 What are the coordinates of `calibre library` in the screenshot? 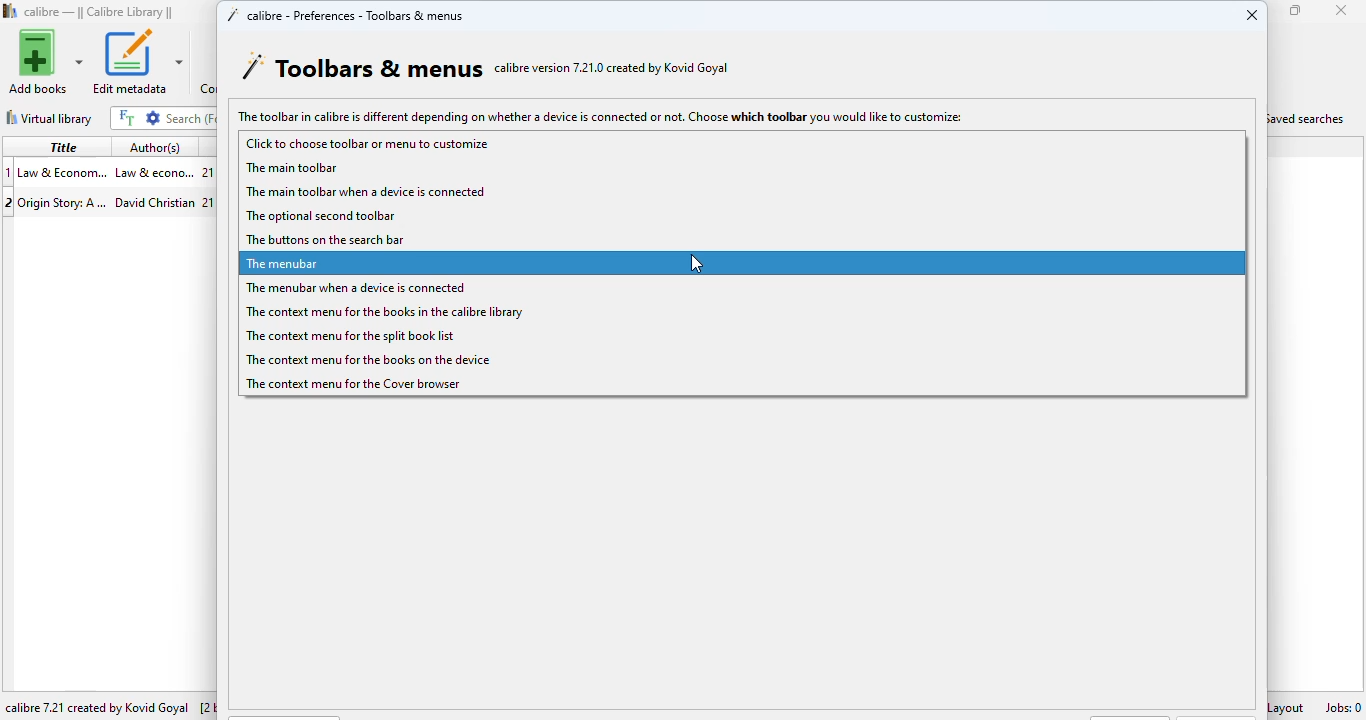 It's located at (100, 12).